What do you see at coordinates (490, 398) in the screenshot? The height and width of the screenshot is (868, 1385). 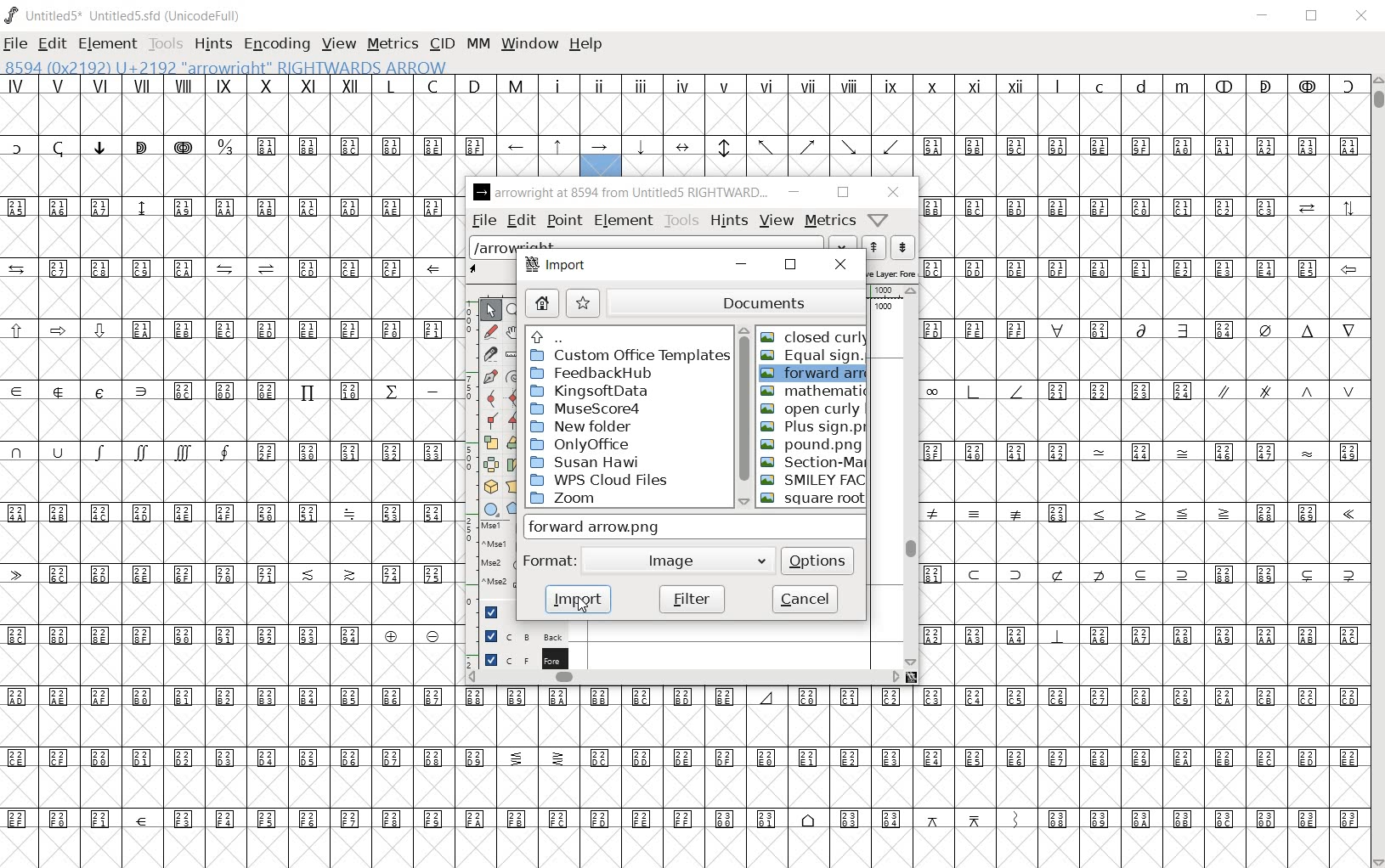 I see `add a curve point` at bounding box center [490, 398].